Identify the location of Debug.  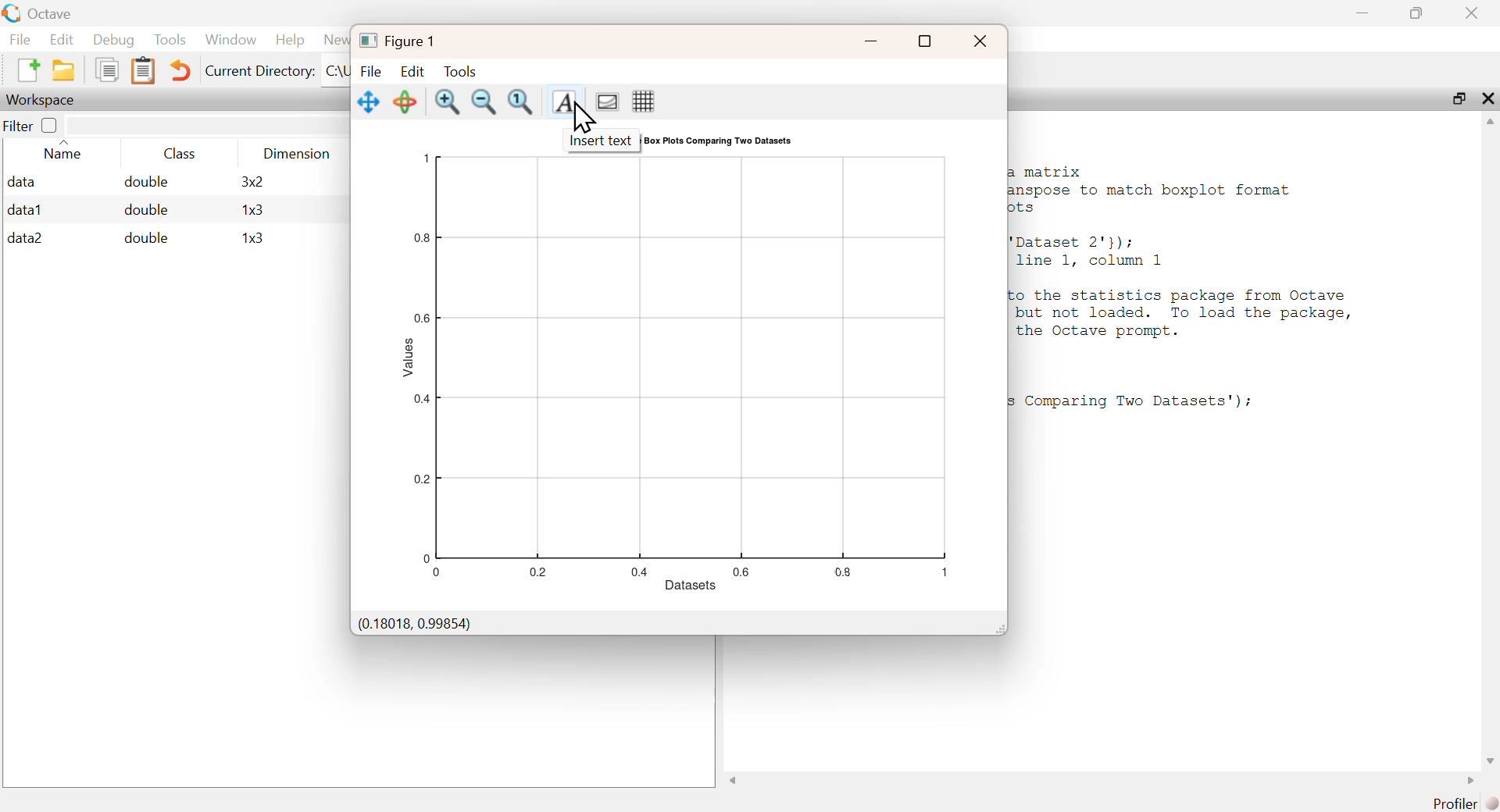
(114, 40).